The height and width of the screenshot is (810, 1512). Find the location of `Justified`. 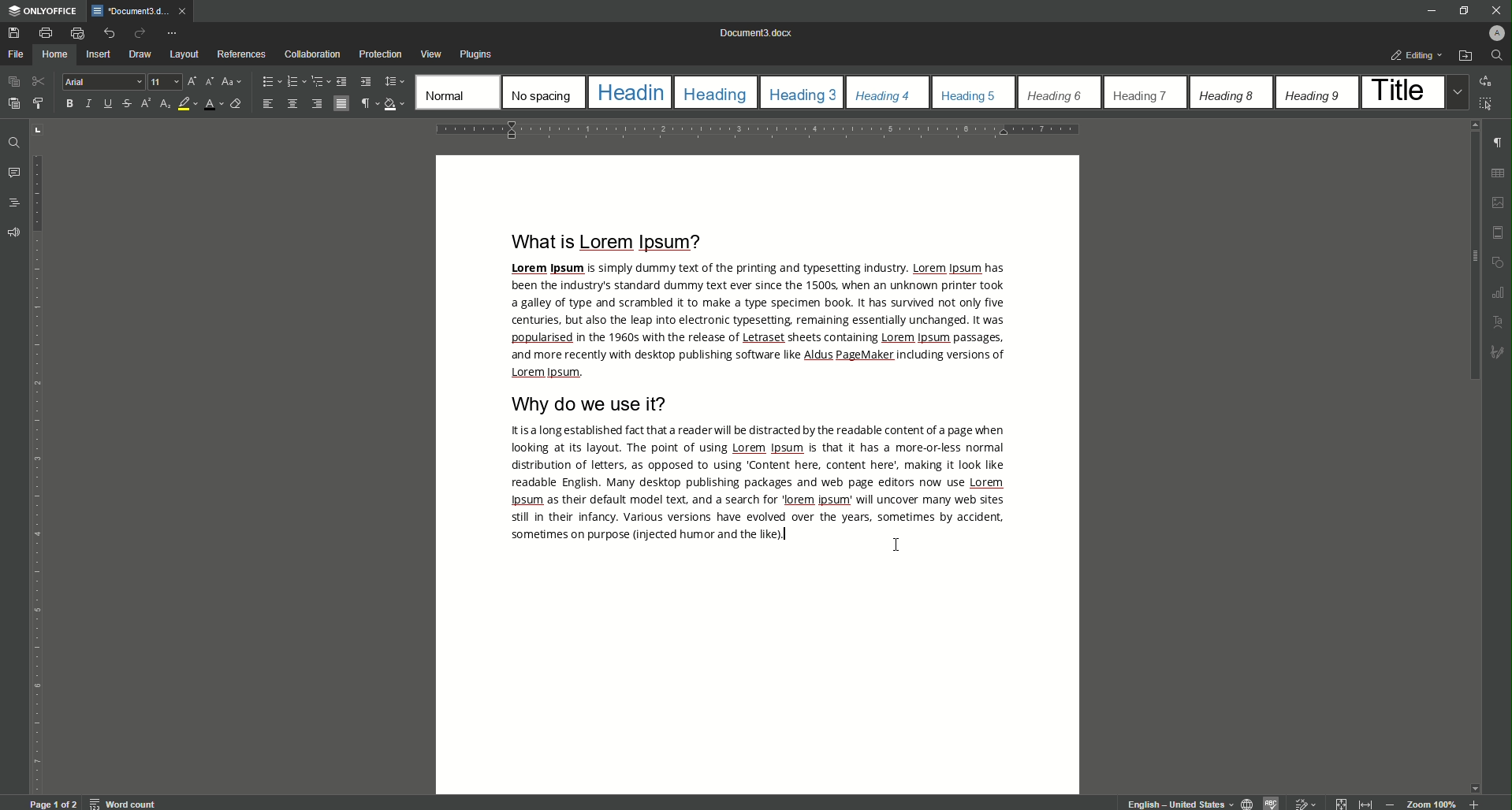

Justified is located at coordinates (341, 104).